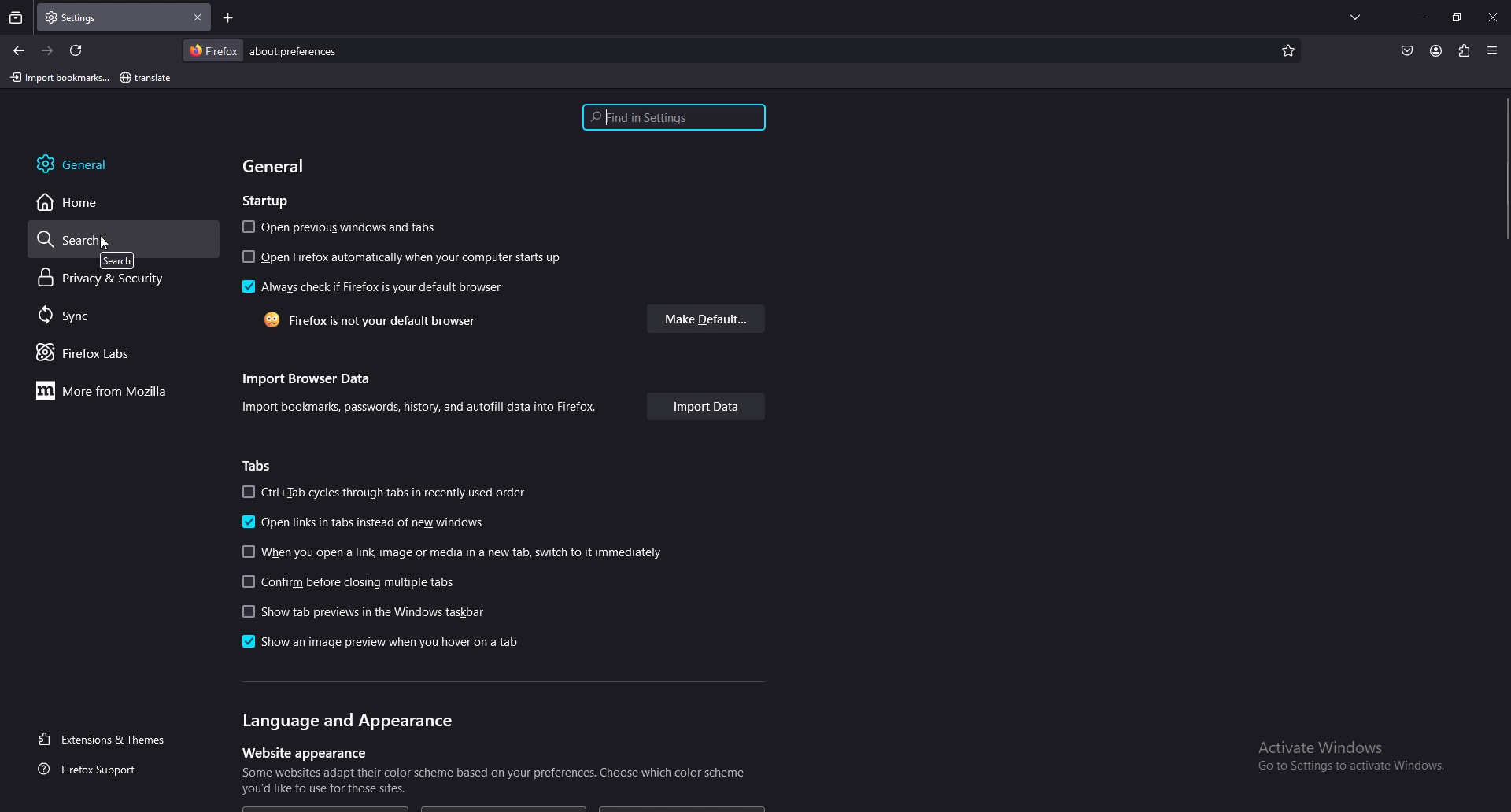 This screenshot has width=1511, height=812. I want to click on forward, so click(50, 50).